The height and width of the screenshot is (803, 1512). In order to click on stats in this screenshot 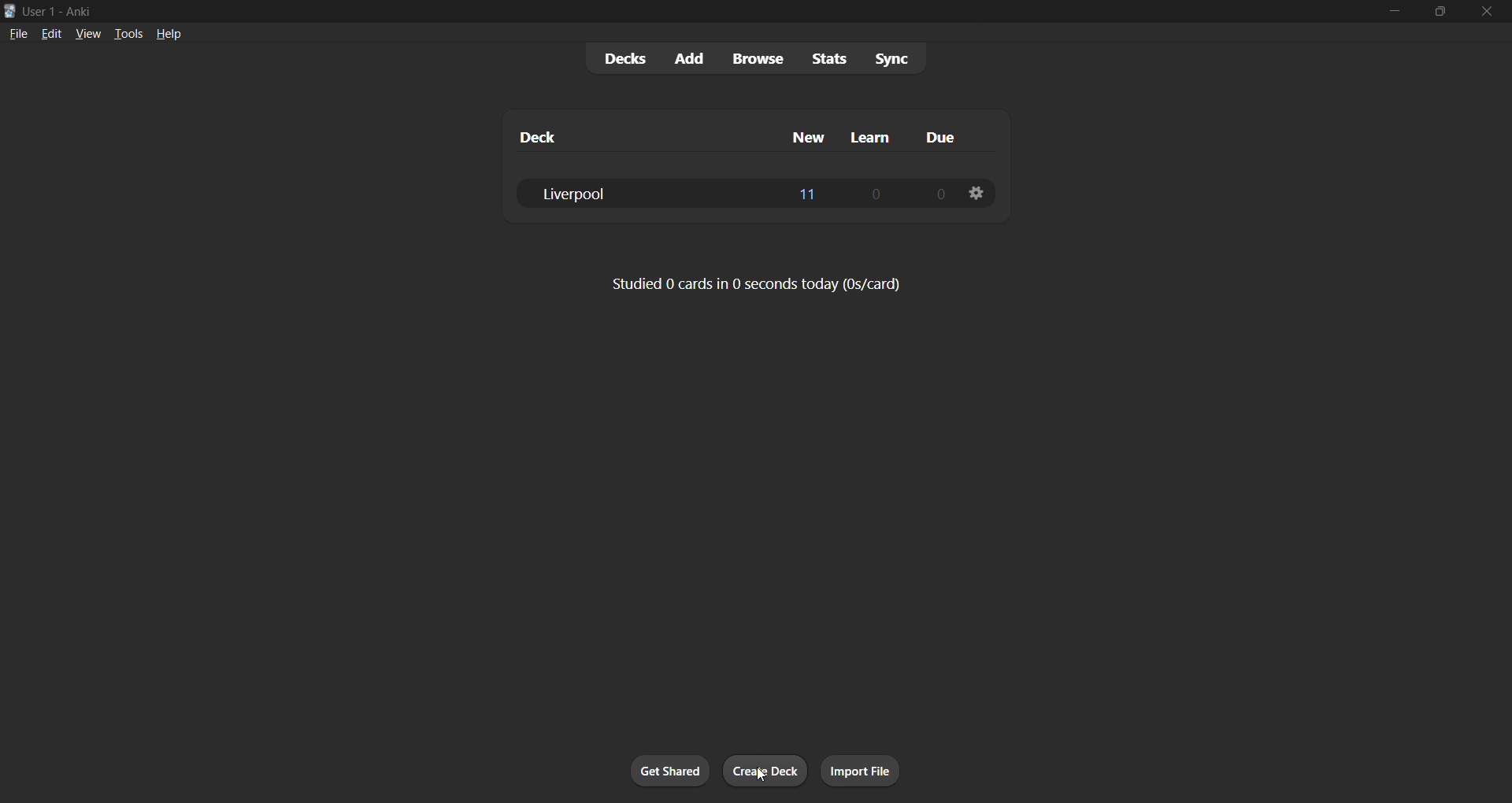, I will do `click(824, 58)`.